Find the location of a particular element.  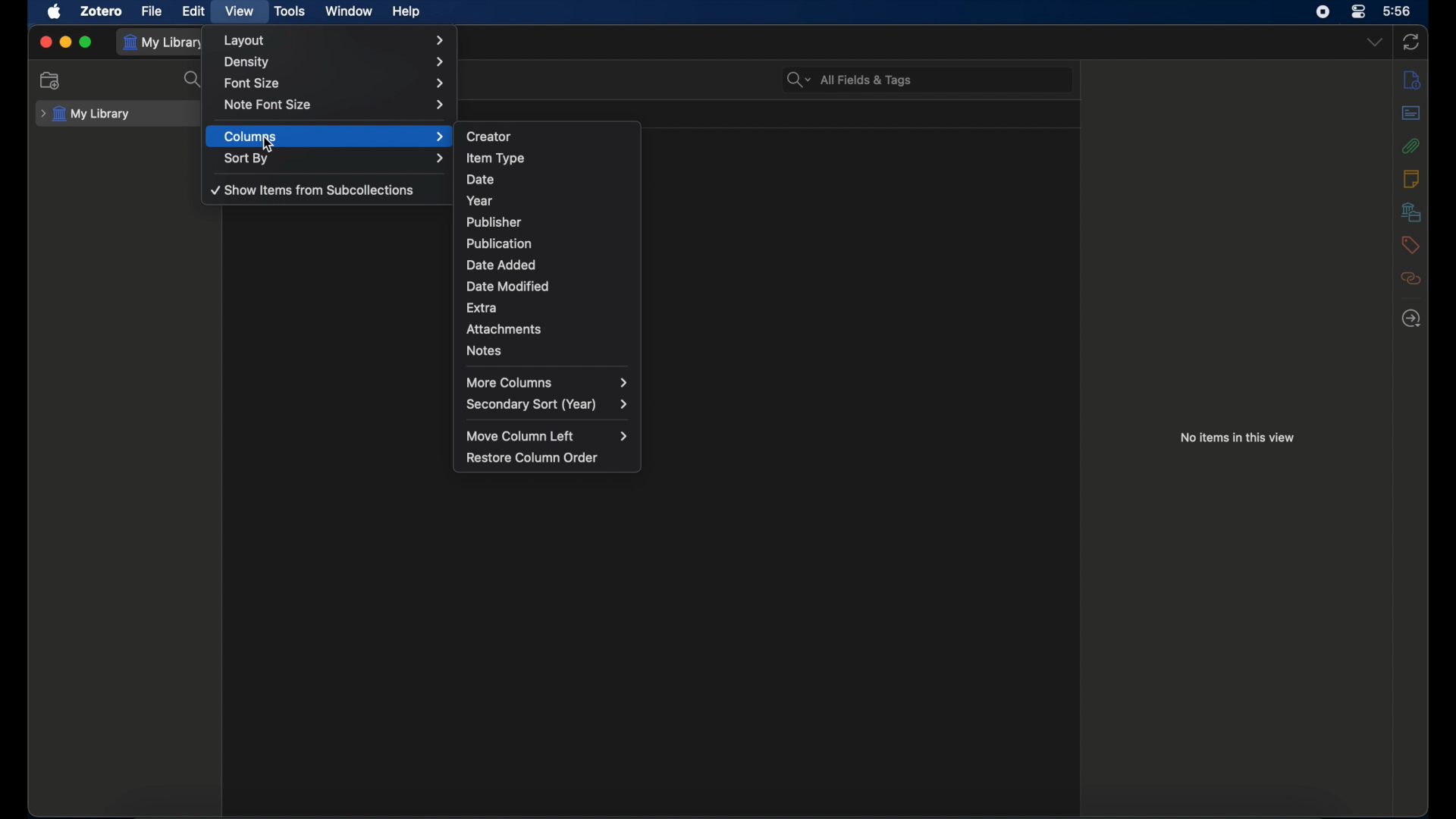

note font size is located at coordinates (335, 105).